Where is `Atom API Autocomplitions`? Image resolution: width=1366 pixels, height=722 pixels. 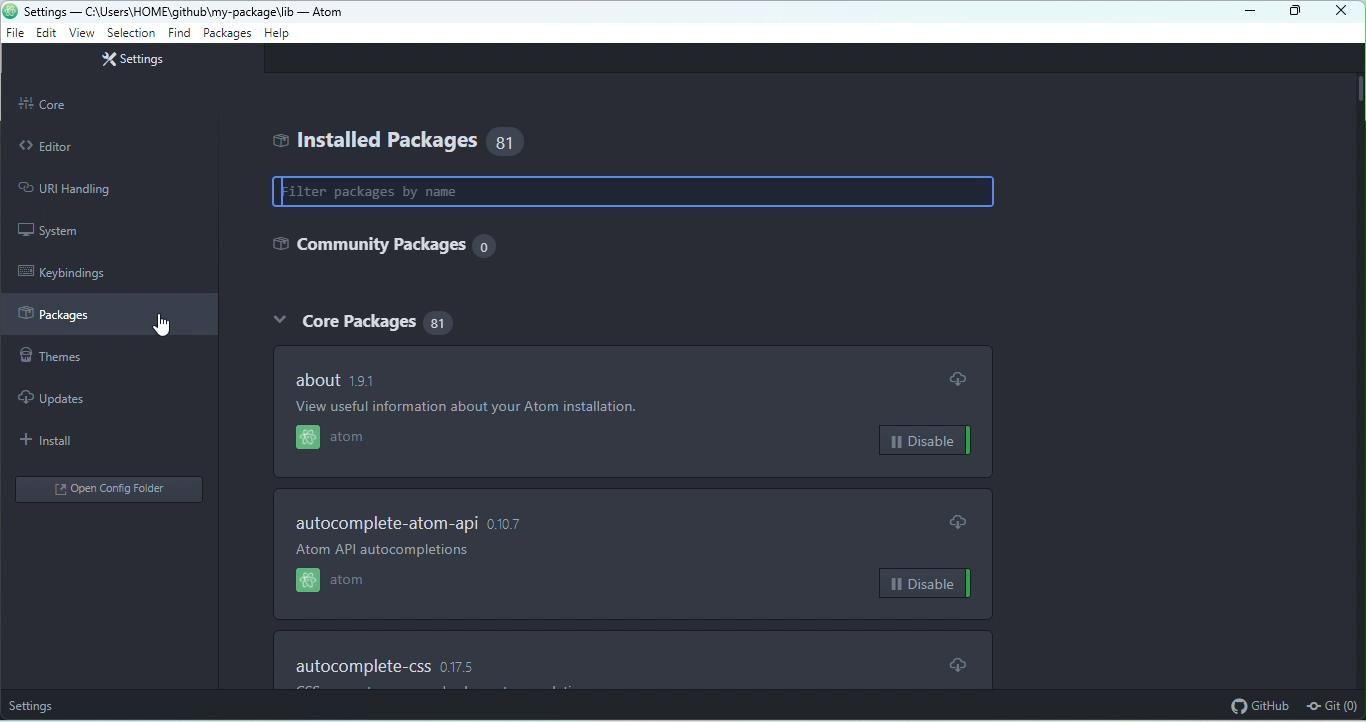
Atom API Autocomplitions is located at coordinates (382, 550).